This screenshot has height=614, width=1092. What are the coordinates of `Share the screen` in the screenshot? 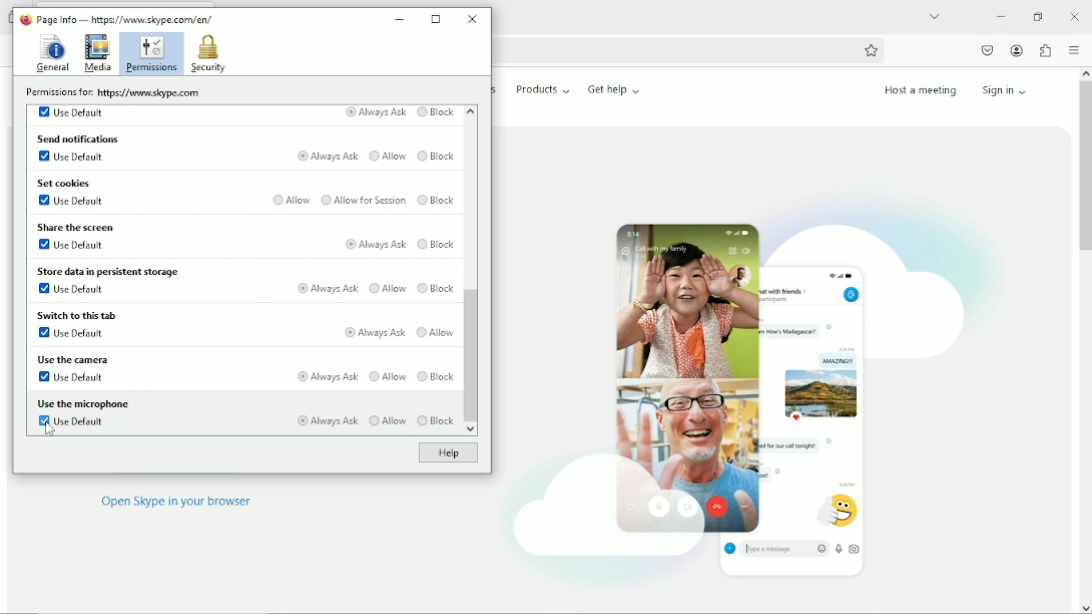 It's located at (77, 225).